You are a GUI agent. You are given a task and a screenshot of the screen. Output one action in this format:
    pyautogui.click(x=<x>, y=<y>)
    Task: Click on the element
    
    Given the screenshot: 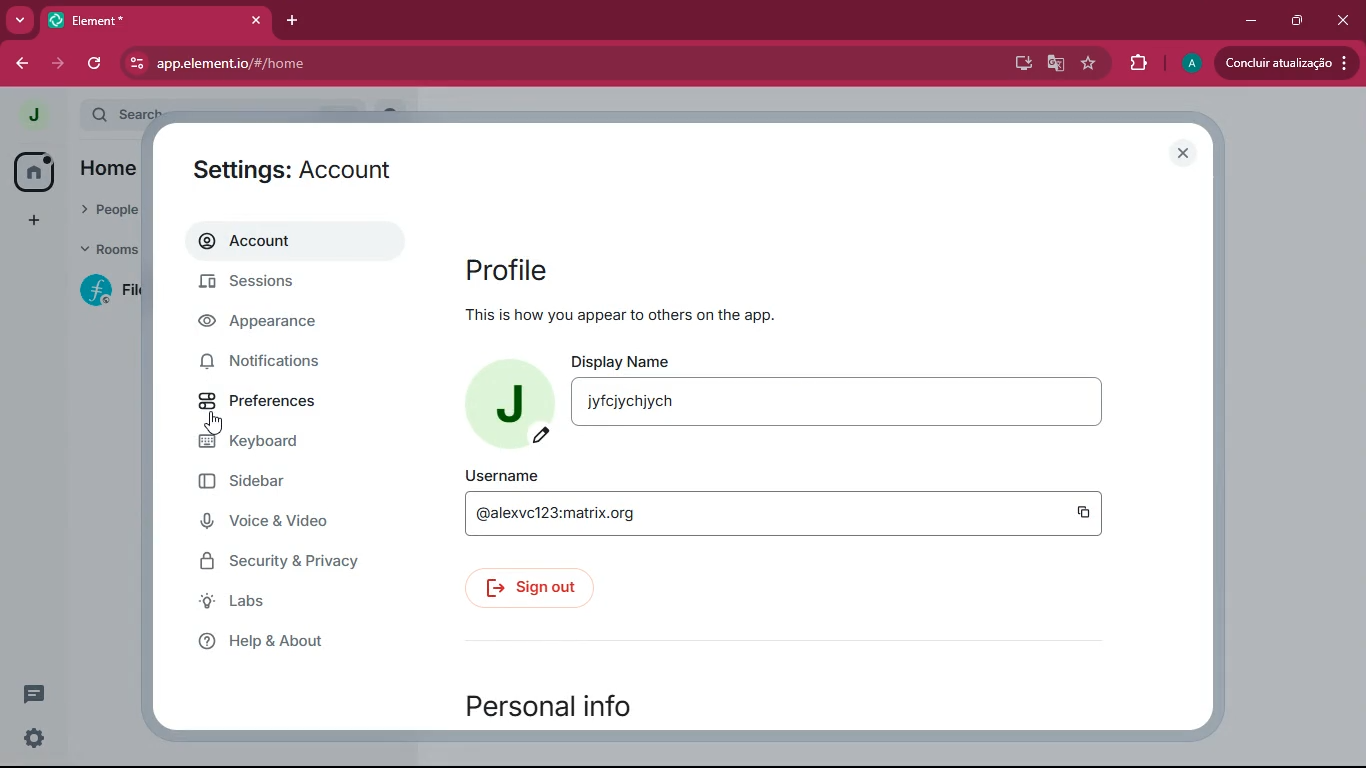 What is the action you would take?
    pyautogui.click(x=159, y=19)
    